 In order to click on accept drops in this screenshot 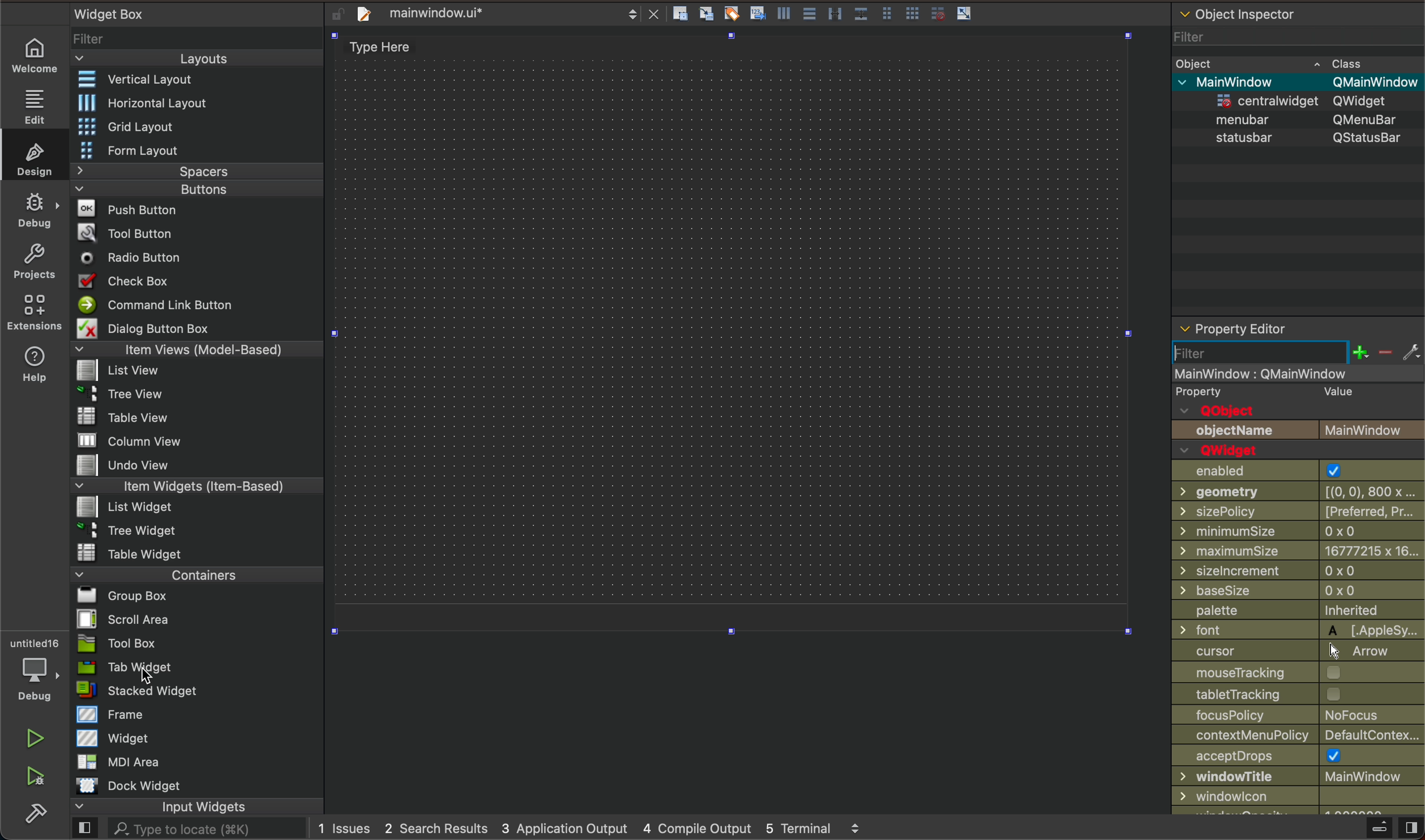, I will do `click(1299, 756)`.